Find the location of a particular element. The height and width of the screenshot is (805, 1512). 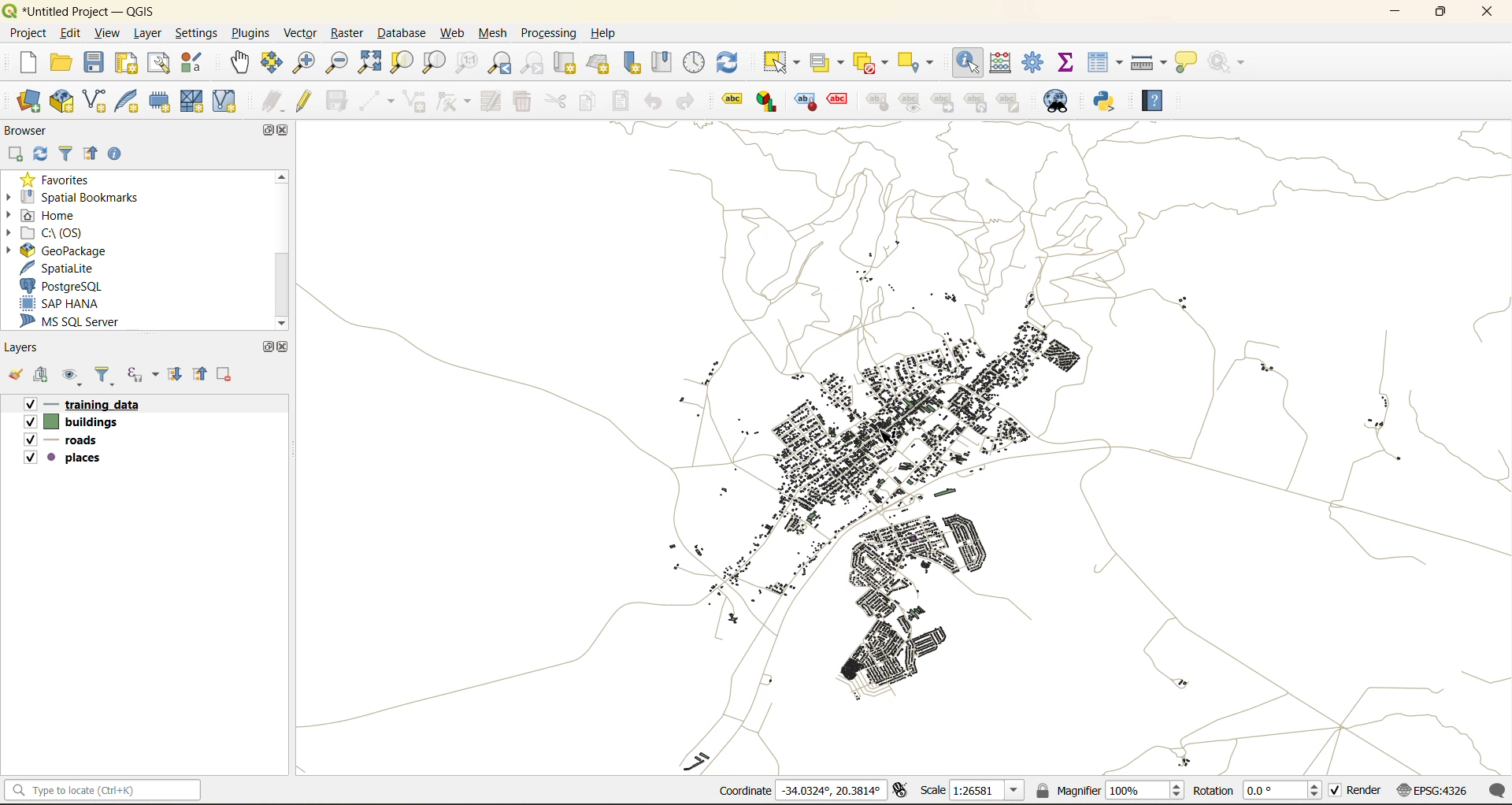

open is located at coordinates (14, 378).